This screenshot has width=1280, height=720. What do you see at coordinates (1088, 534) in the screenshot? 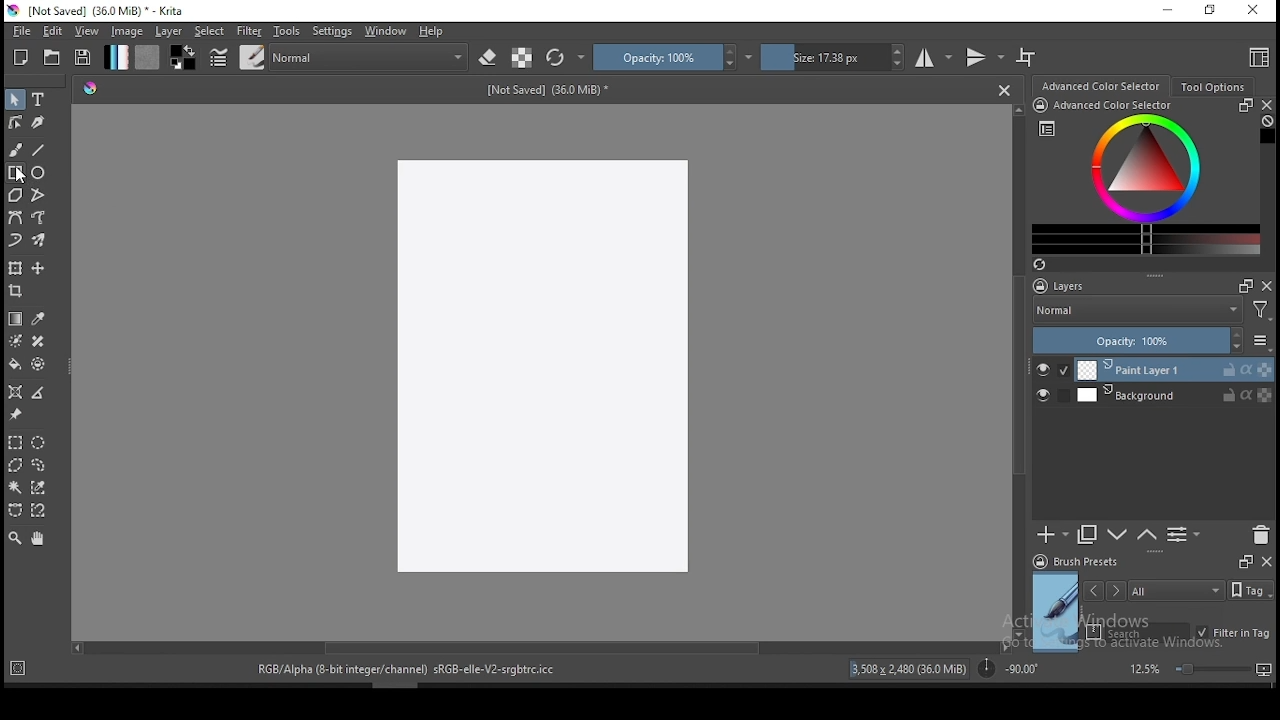
I see `duplicate layer` at bounding box center [1088, 534].